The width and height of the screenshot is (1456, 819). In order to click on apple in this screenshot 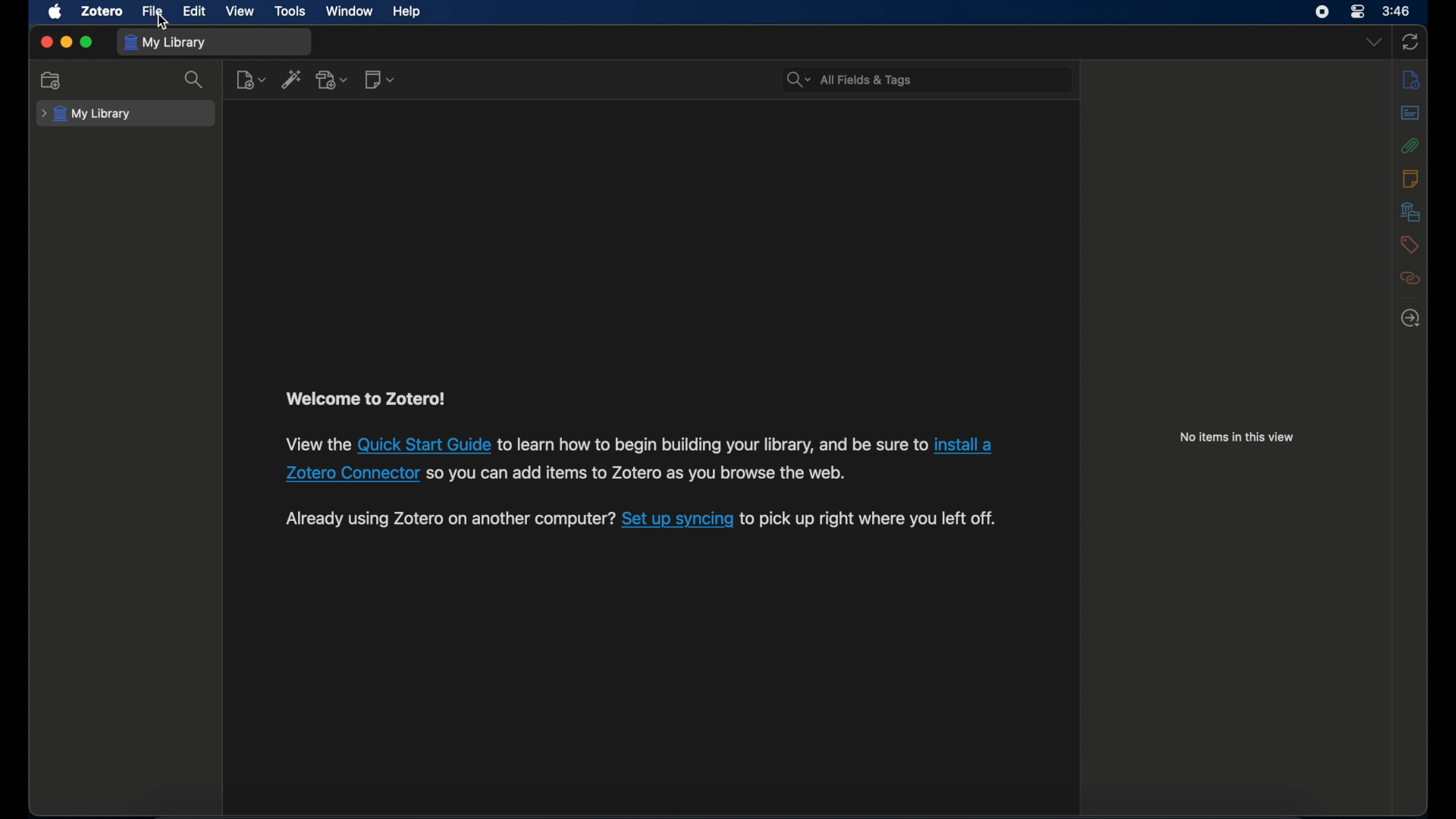, I will do `click(55, 11)`.